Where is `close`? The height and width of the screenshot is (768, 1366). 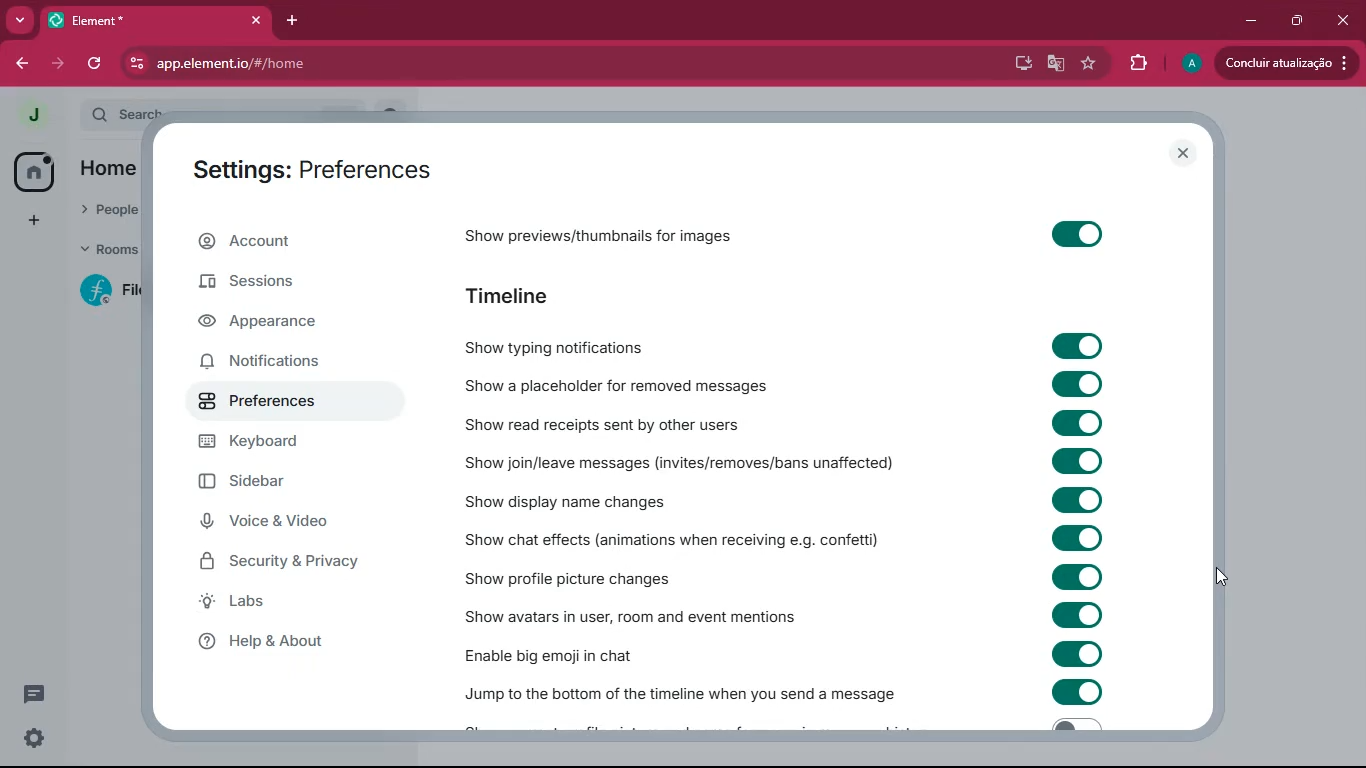
close is located at coordinates (256, 19).